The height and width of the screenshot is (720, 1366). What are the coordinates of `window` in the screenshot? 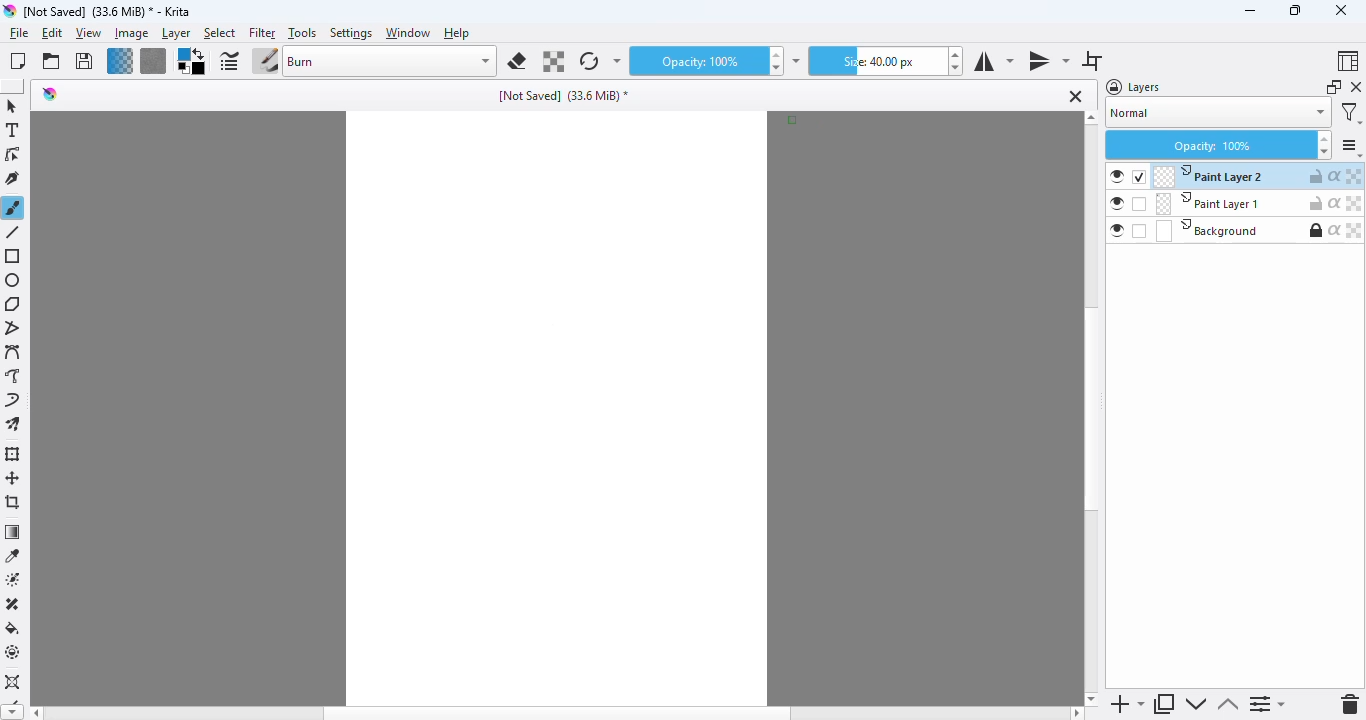 It's located at (407, 33).